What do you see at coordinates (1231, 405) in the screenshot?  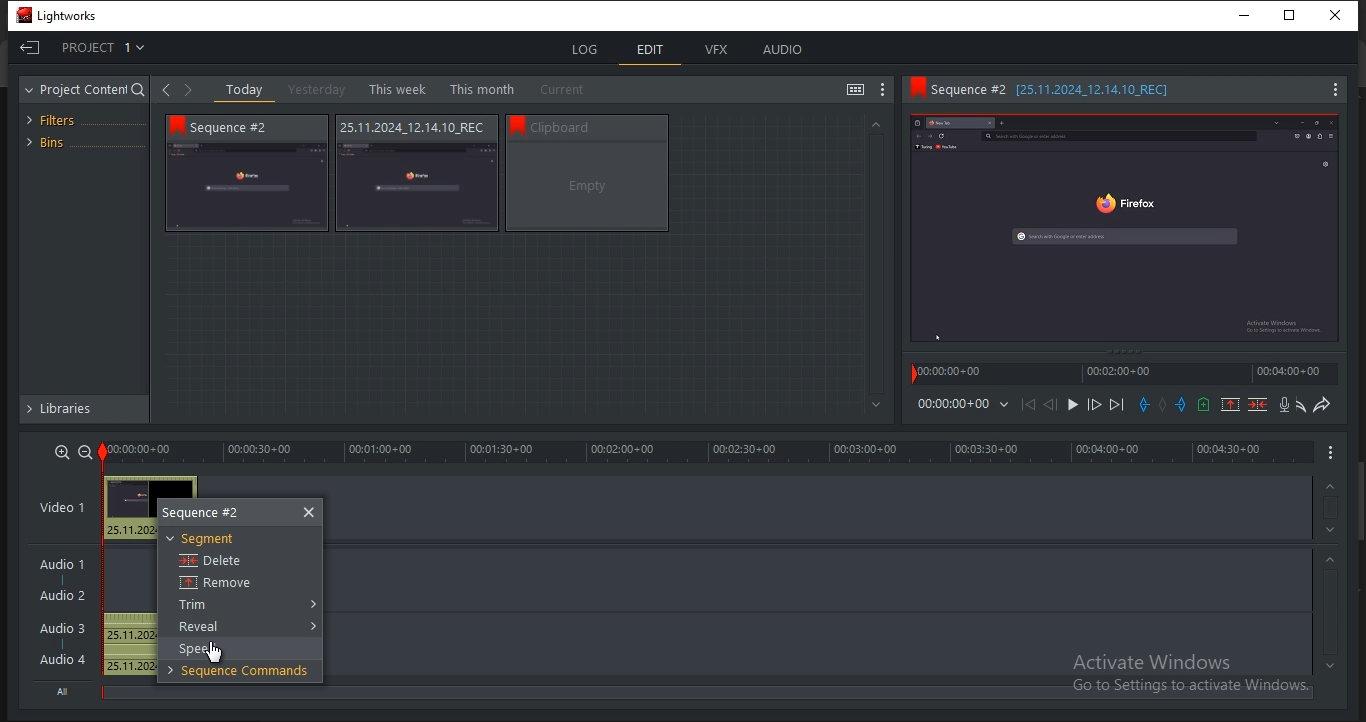 I see `remove a marked section` at bounding box center [1231, 405].